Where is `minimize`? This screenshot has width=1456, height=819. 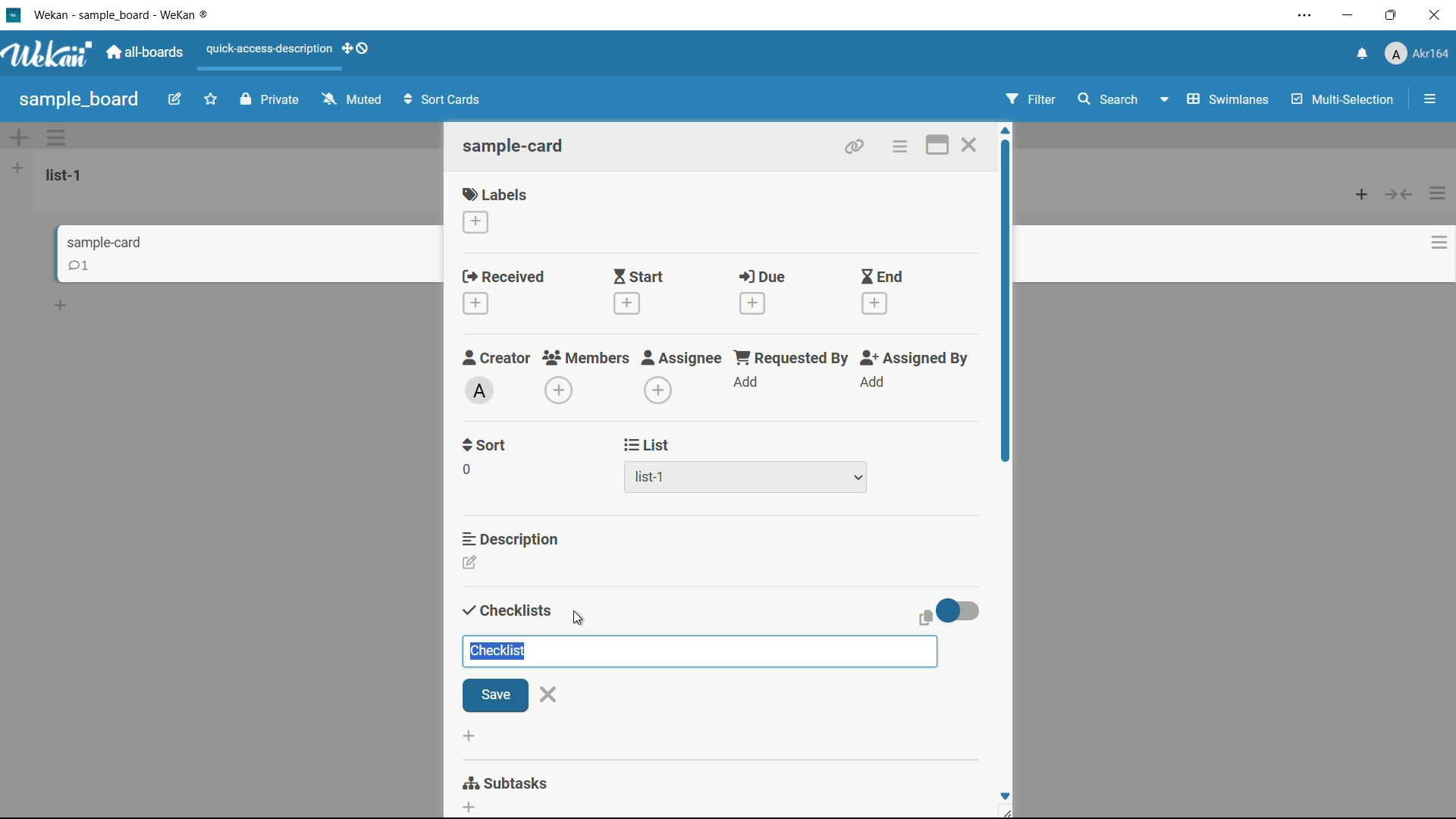 minimize is located at coordinates (1349, 16).